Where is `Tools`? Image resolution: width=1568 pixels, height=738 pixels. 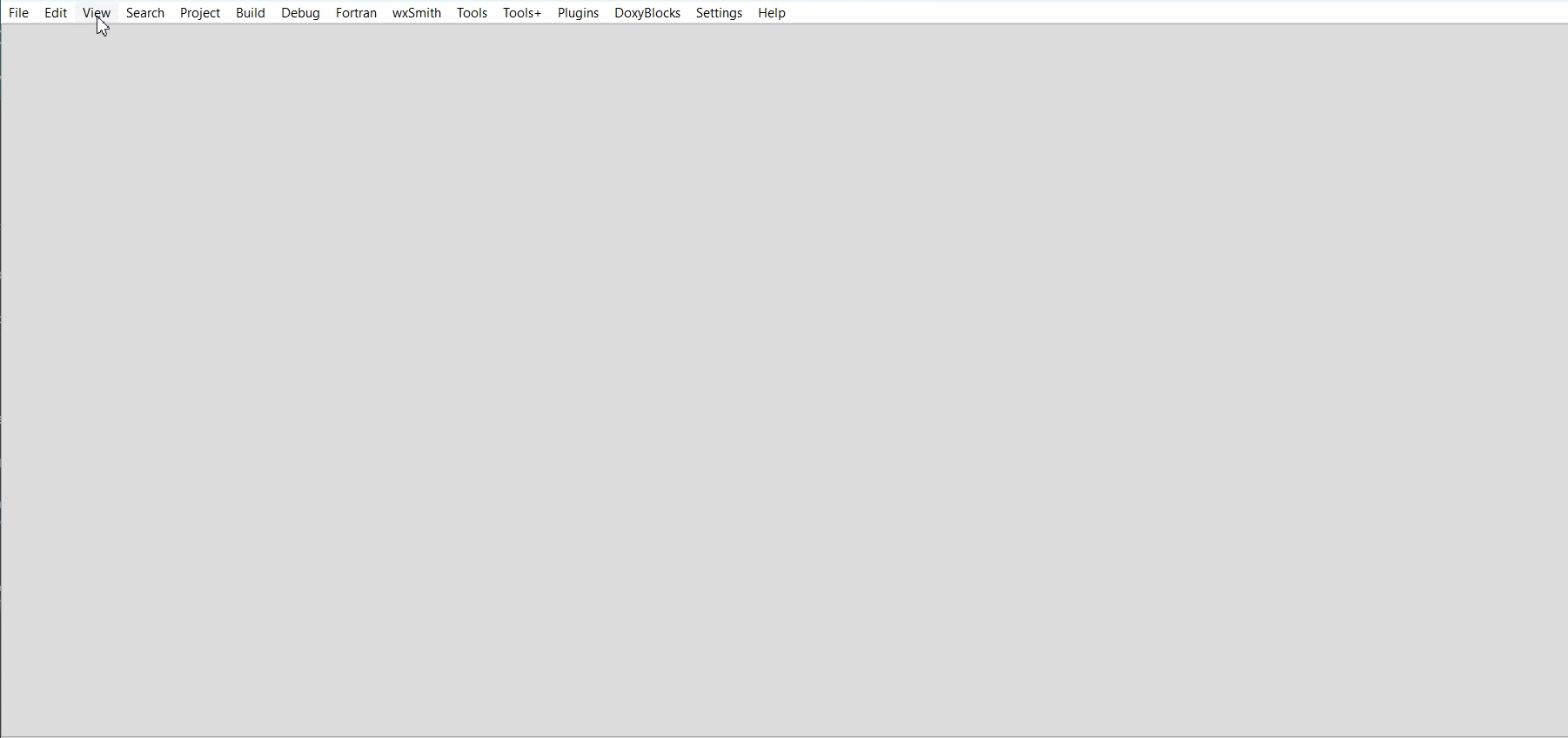 Tools is located at coordinates (472, 12).